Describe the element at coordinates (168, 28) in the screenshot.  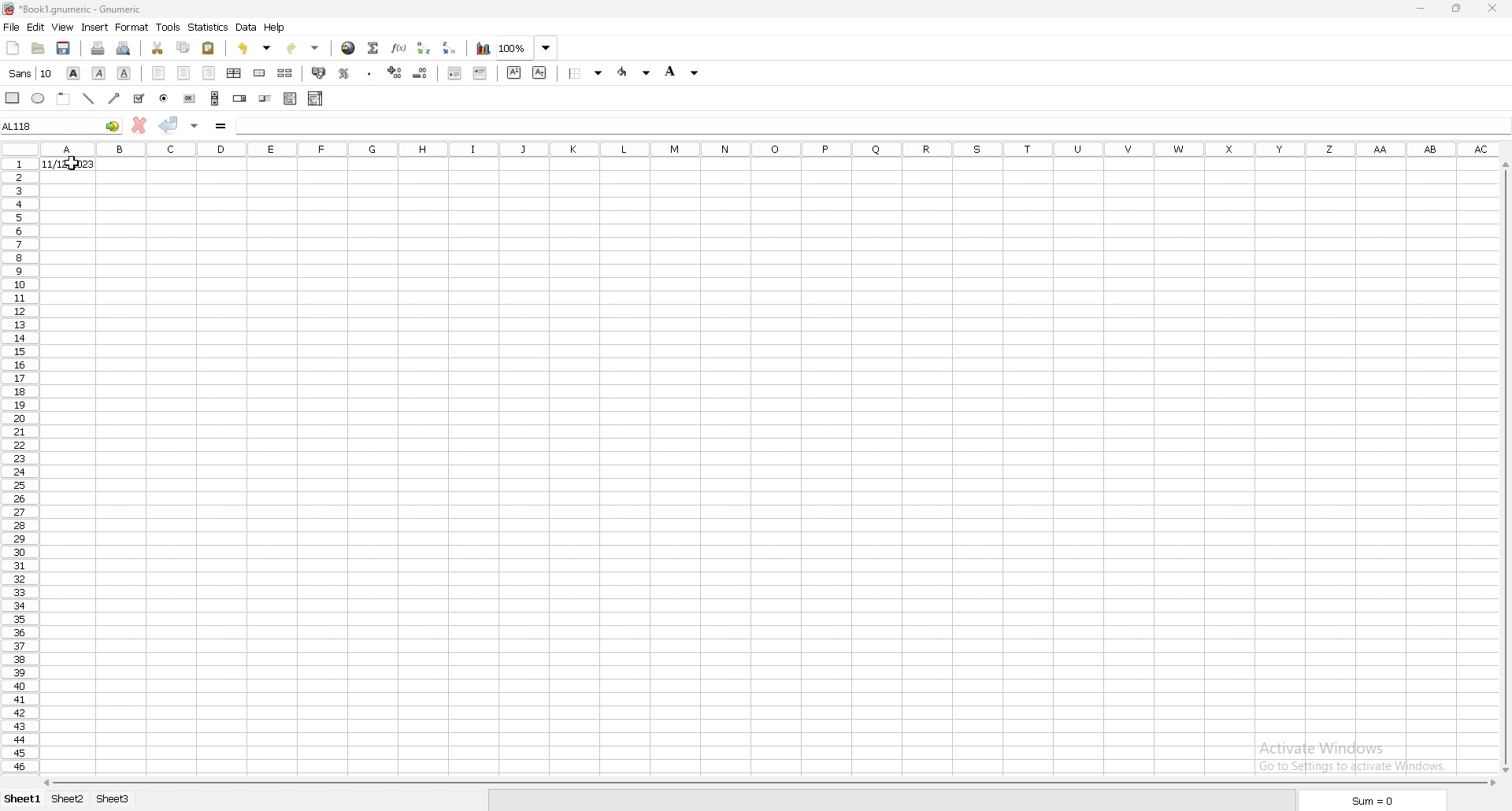
I see `tools` at that location.